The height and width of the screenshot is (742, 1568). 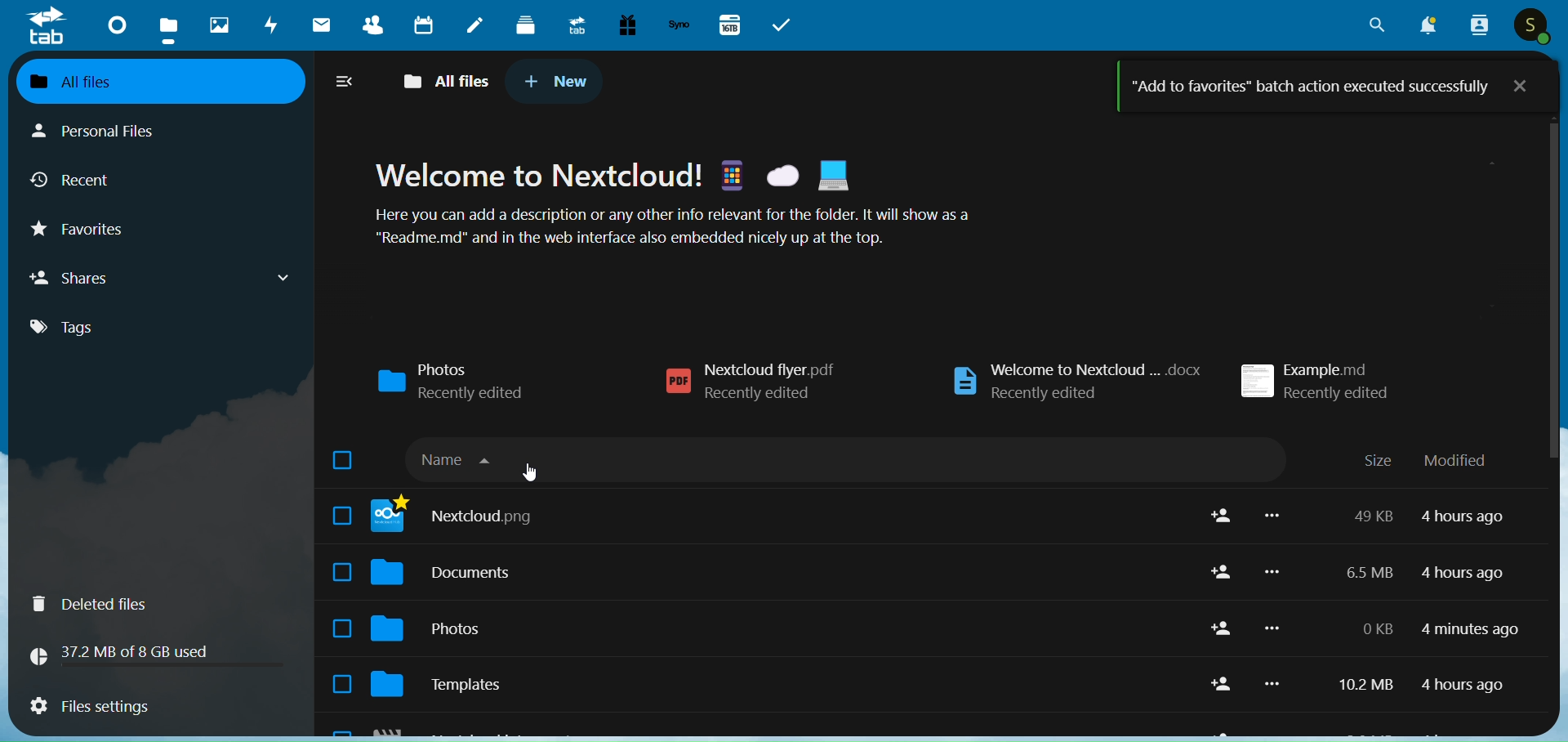 I want to click on More, so click(x=1272, y=515).